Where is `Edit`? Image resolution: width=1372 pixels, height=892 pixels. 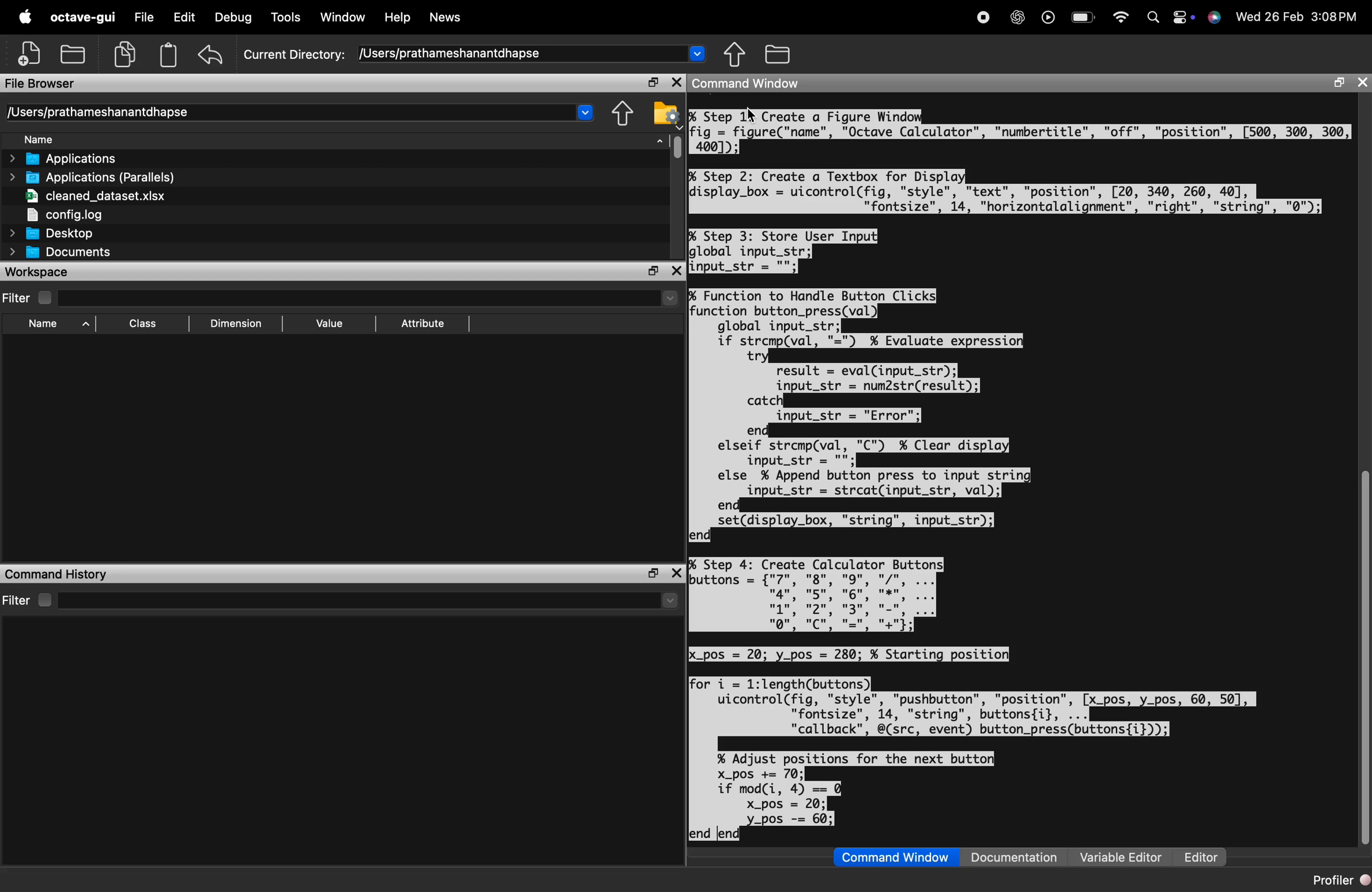
Edit is located at coordinates (180, 17).